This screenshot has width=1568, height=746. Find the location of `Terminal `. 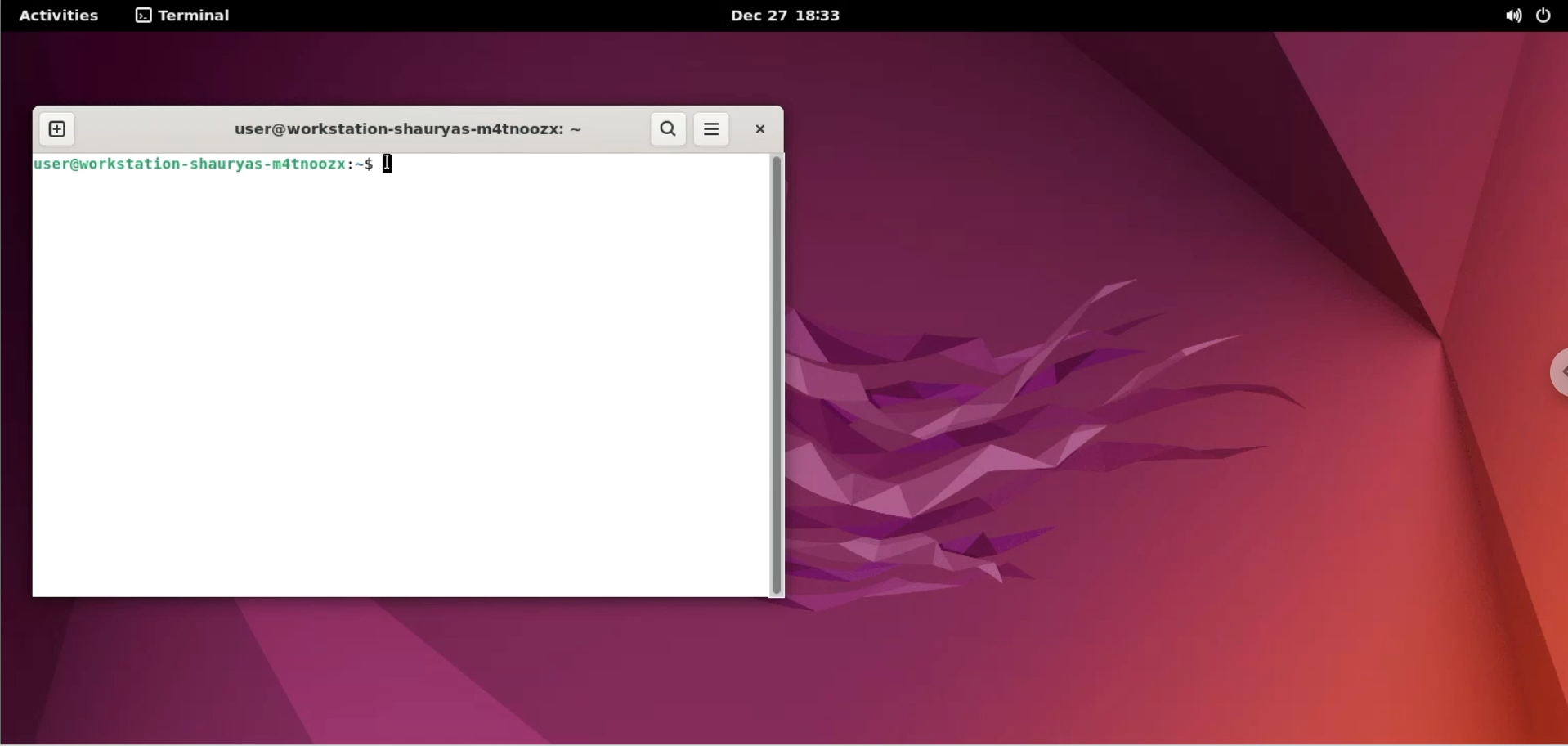

Terminal  is located at coordinates (190, 16).